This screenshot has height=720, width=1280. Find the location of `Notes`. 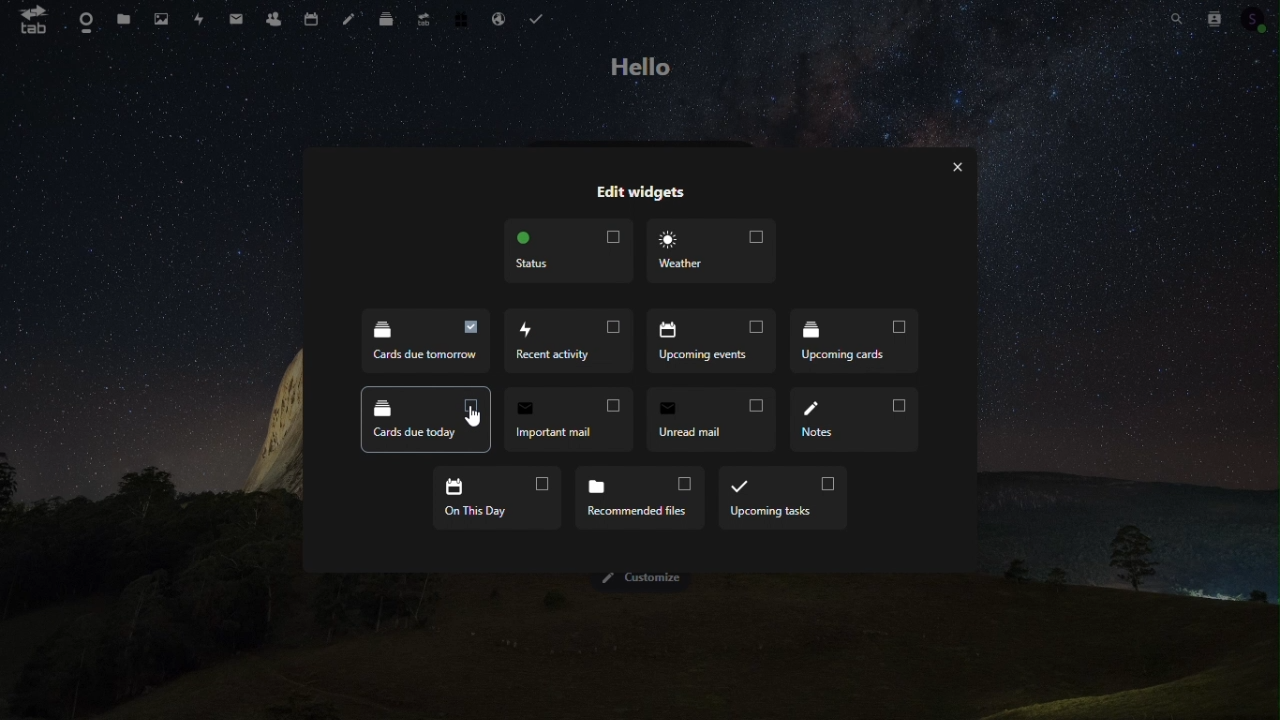

Notes is located at coordinates (856, 420).